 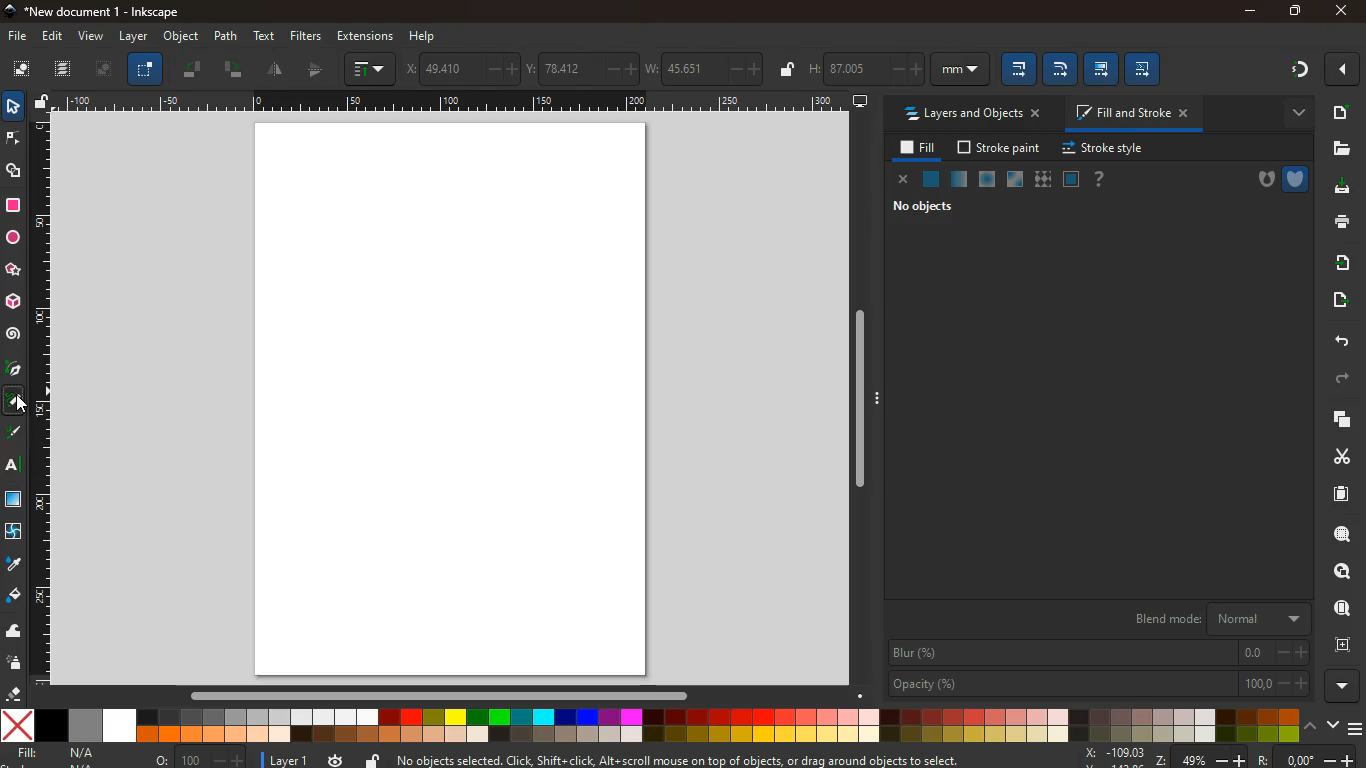 I want to click on frame, so click(x=1347, y=645).